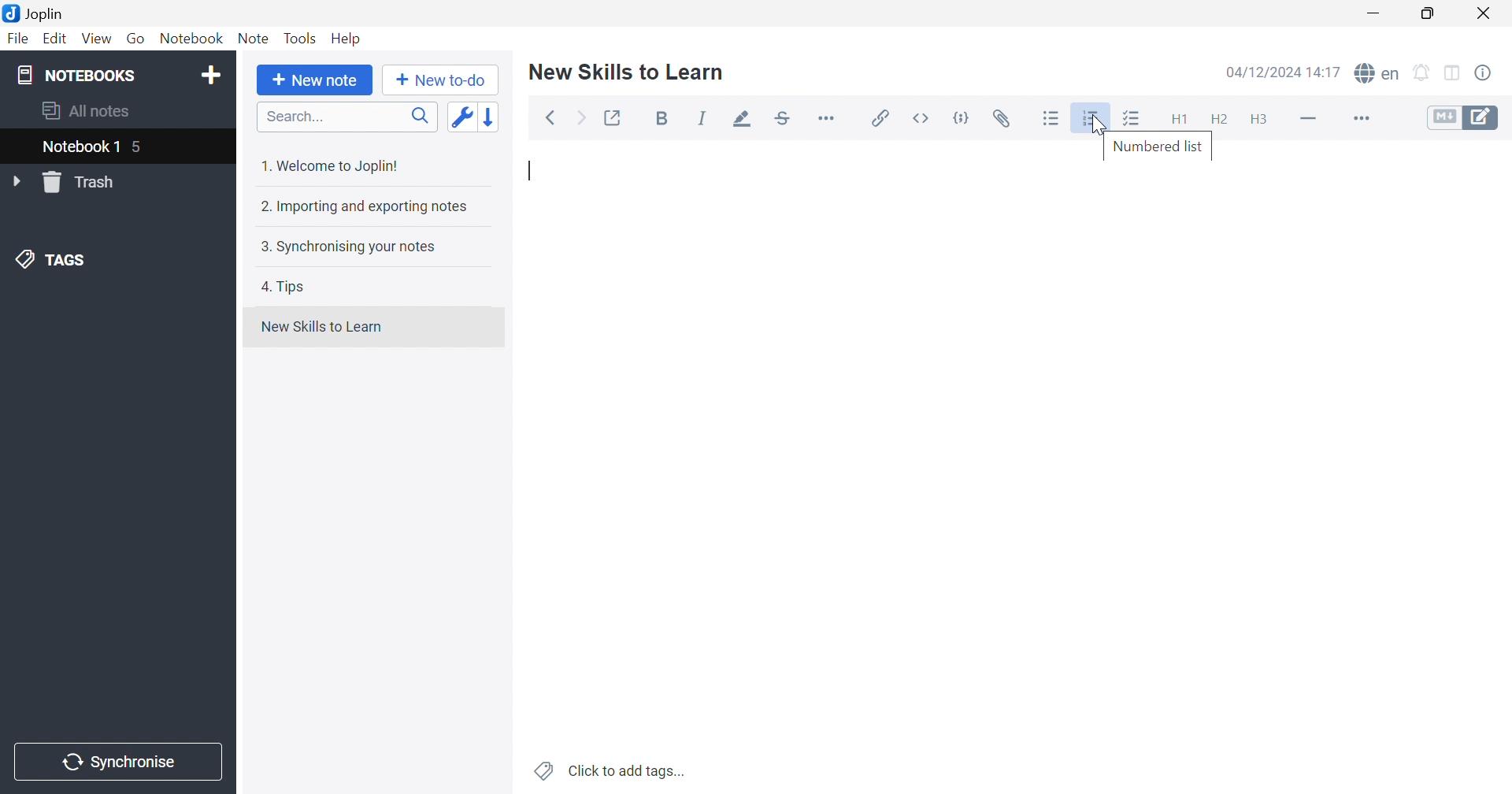 The height and width of the screenshot is (794, 1512). I want to click on Insert/edit link, so click(878, 118).